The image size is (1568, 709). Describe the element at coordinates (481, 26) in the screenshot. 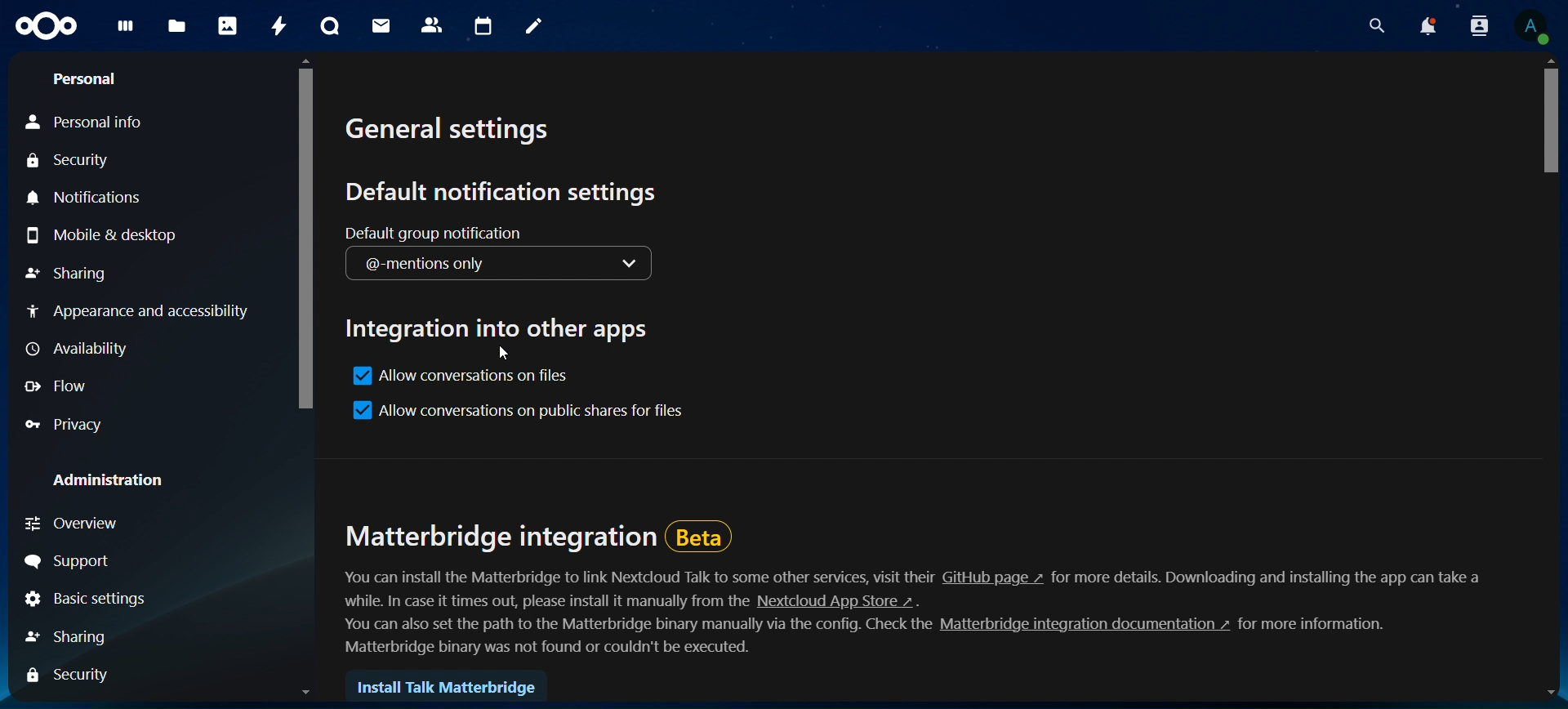

I see `calendar` at that location.